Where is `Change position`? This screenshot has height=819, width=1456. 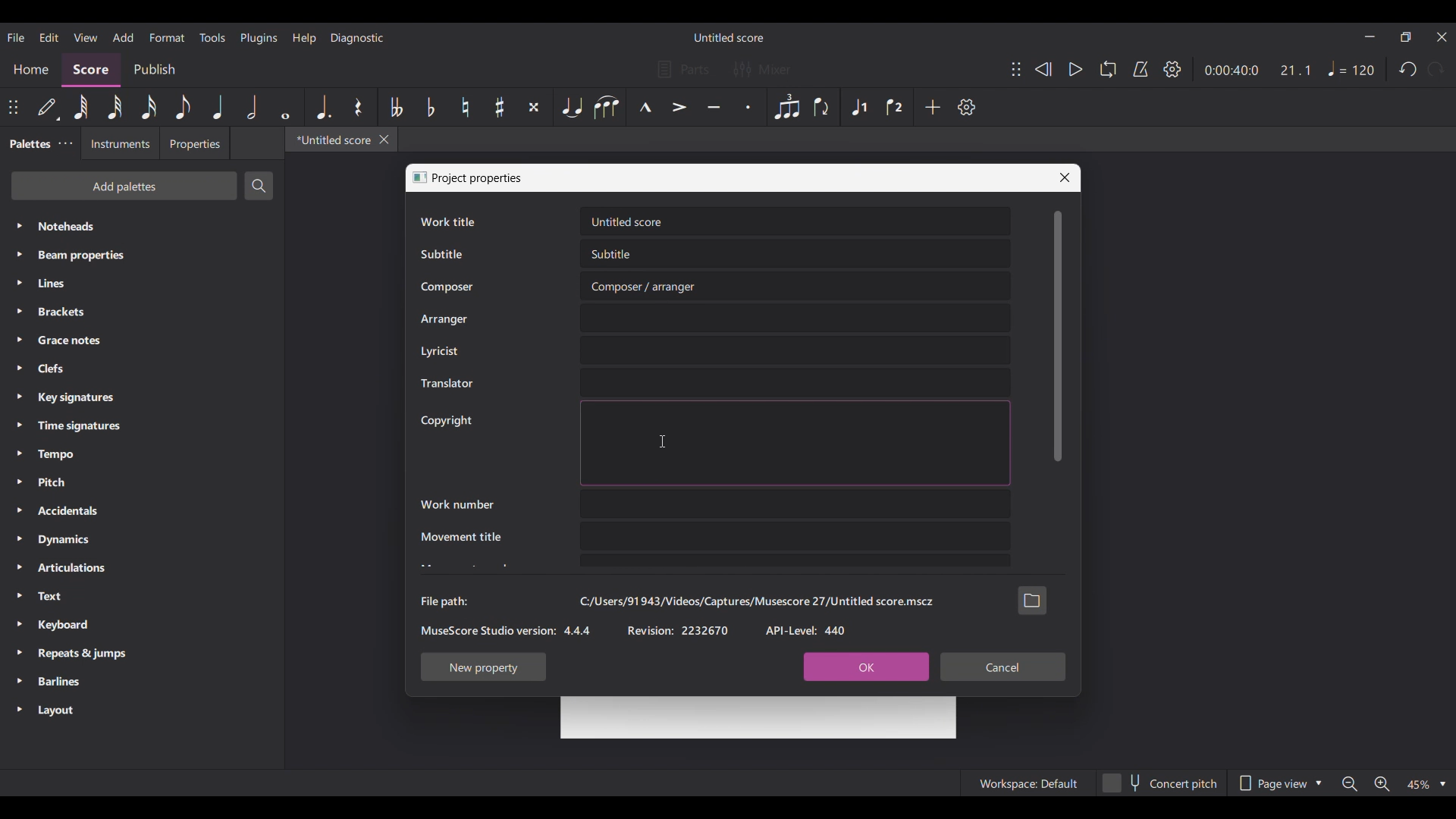 Change position is located at coordinates (1017, 69).